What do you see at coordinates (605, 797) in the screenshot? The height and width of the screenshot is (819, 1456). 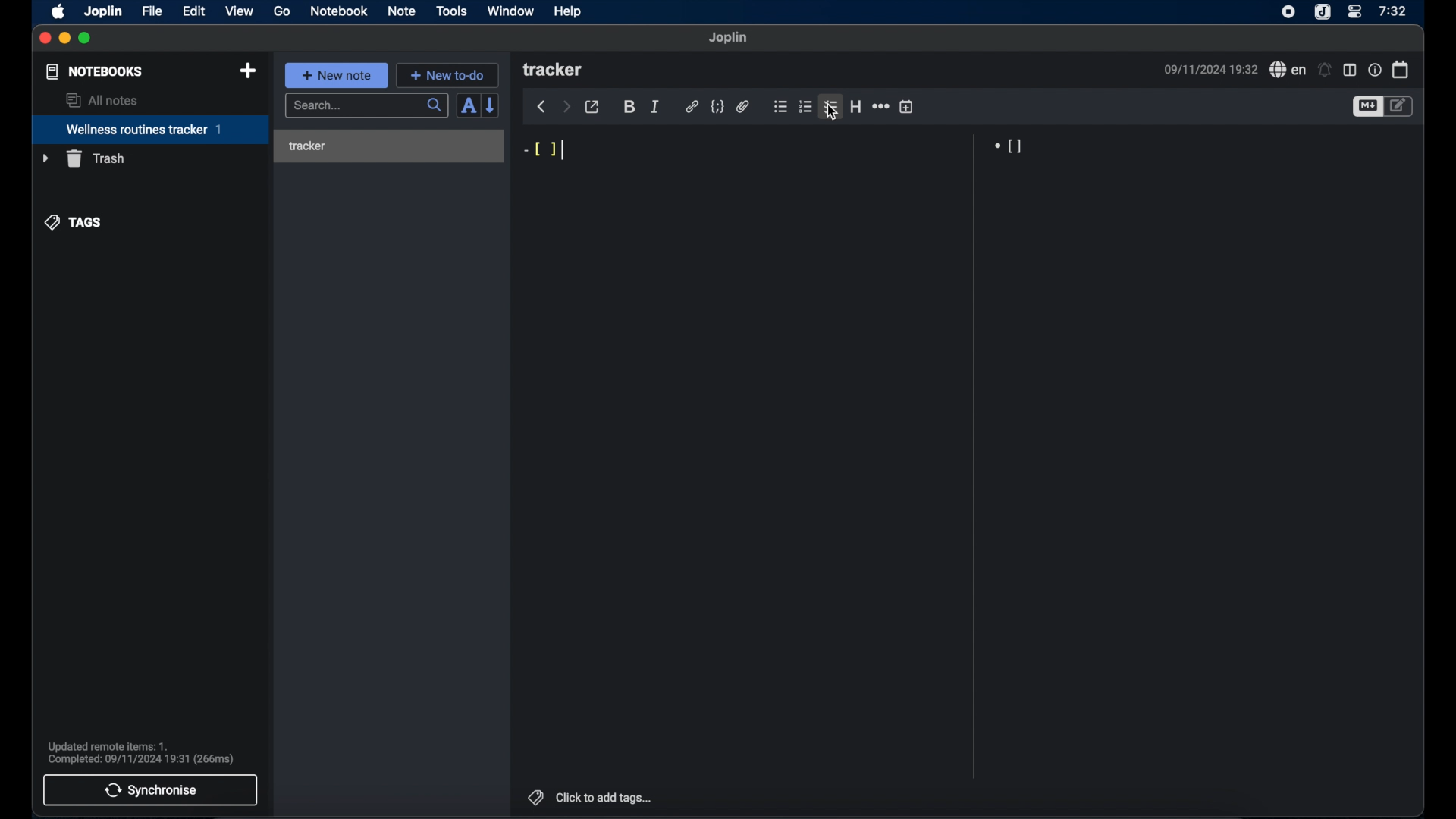 I see `click to add tags` at bounding box center [605, 797].